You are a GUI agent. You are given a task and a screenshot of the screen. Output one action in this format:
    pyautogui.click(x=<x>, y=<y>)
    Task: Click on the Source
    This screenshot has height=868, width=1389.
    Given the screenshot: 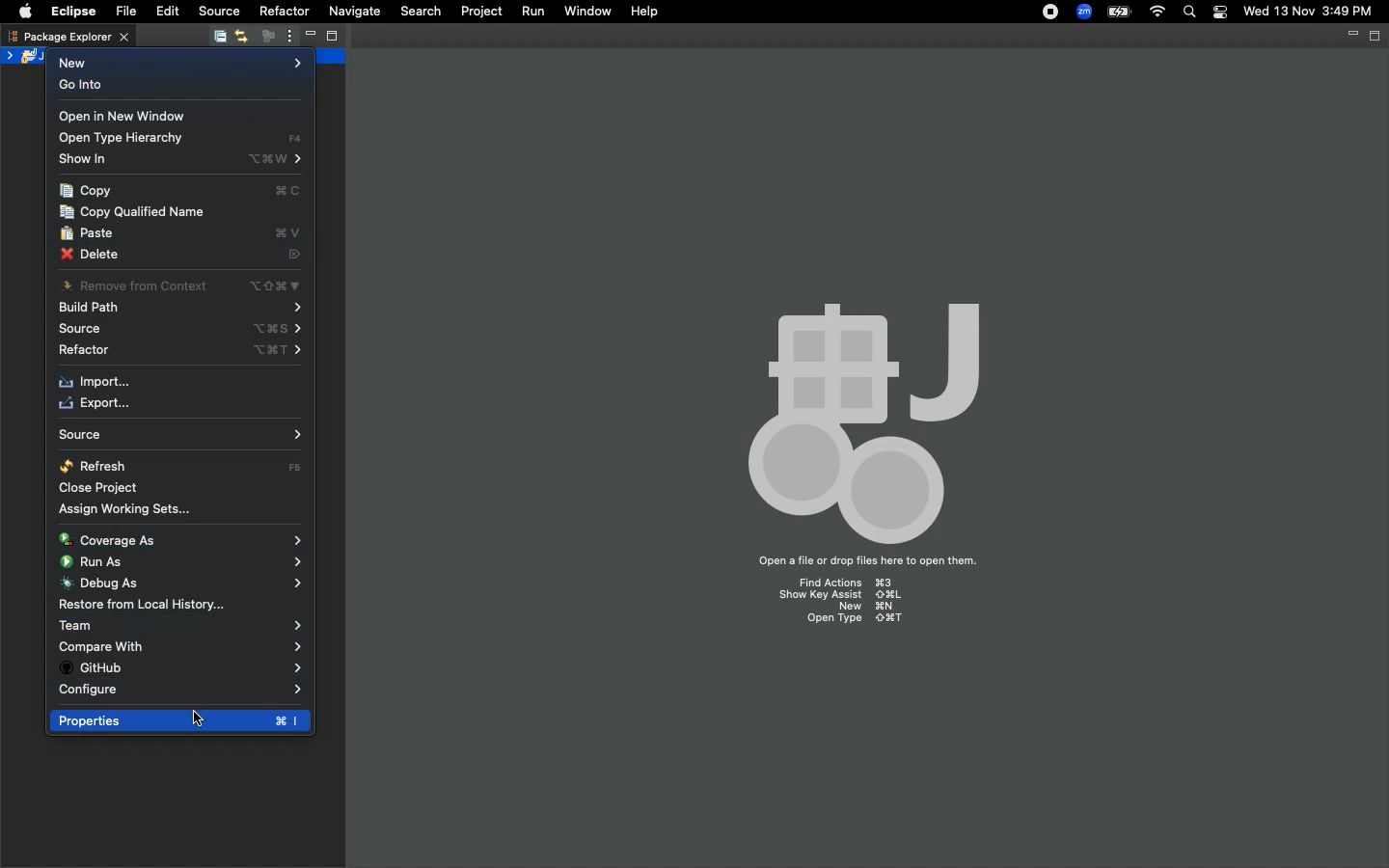 What is the action you would take?
    pyautogui.click(x=220, y=12)
    